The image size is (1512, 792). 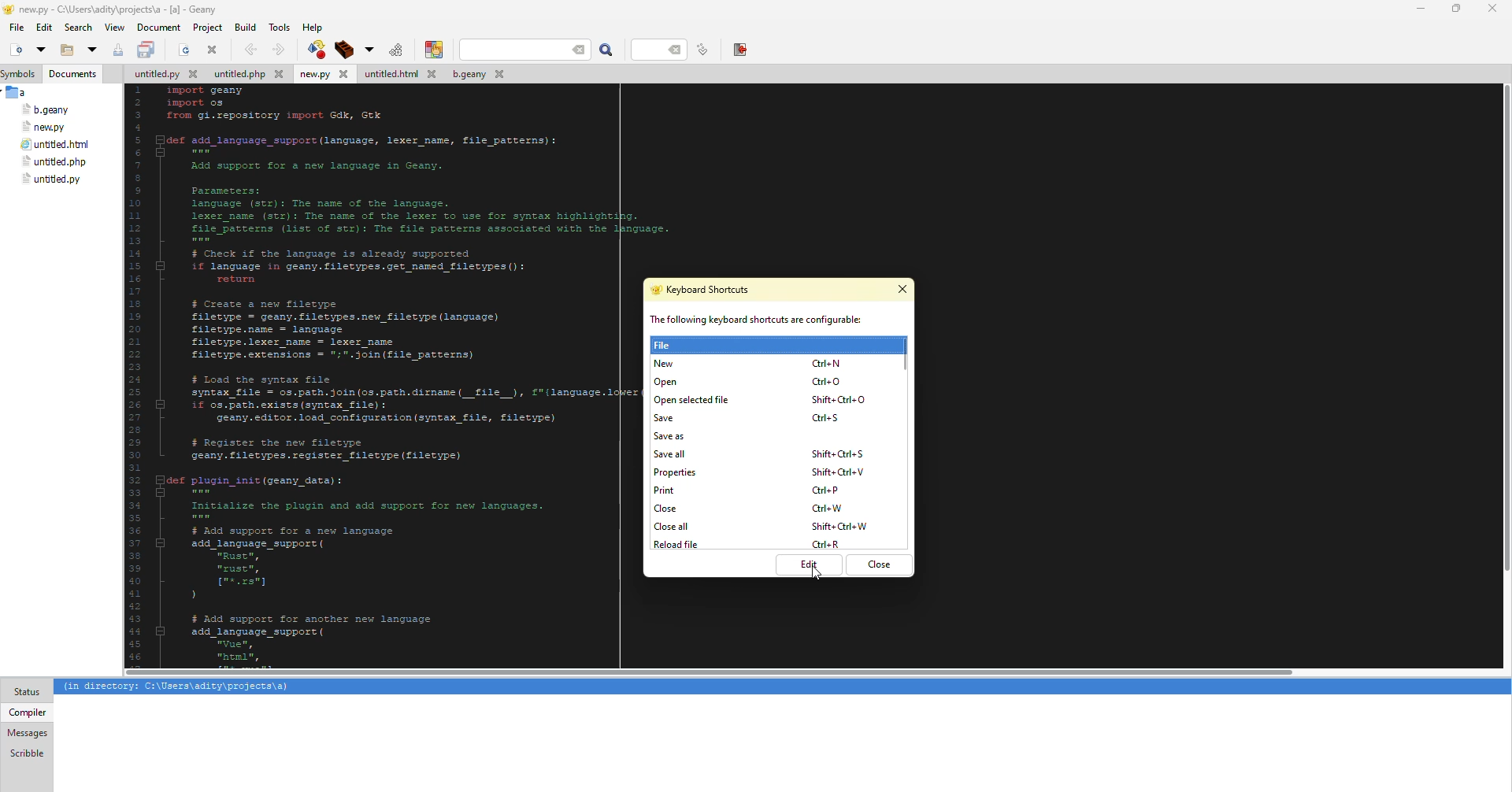 I want to click on file, so click(x=46, y=110).